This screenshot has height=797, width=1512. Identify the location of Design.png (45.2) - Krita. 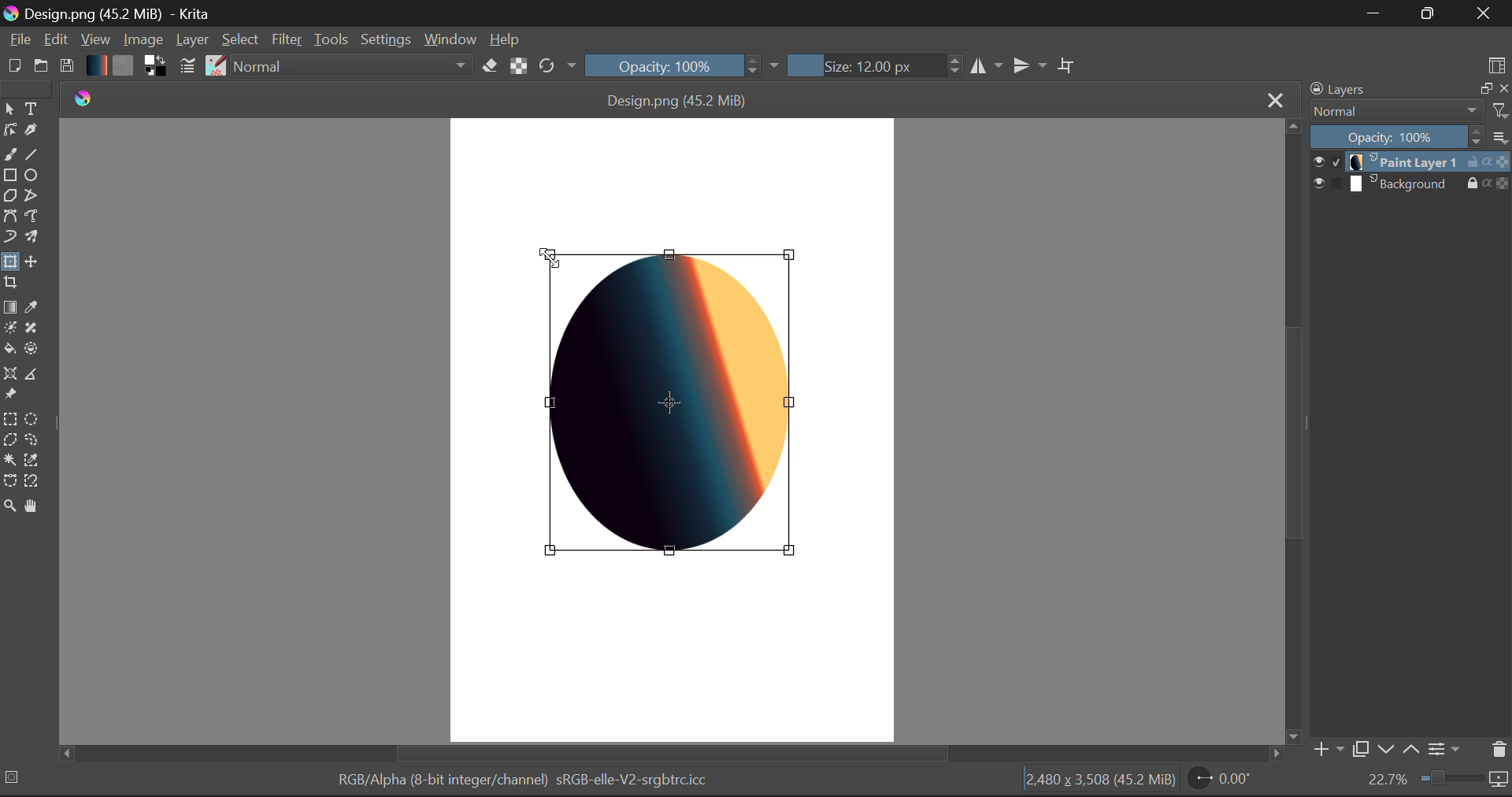
(114, 13).